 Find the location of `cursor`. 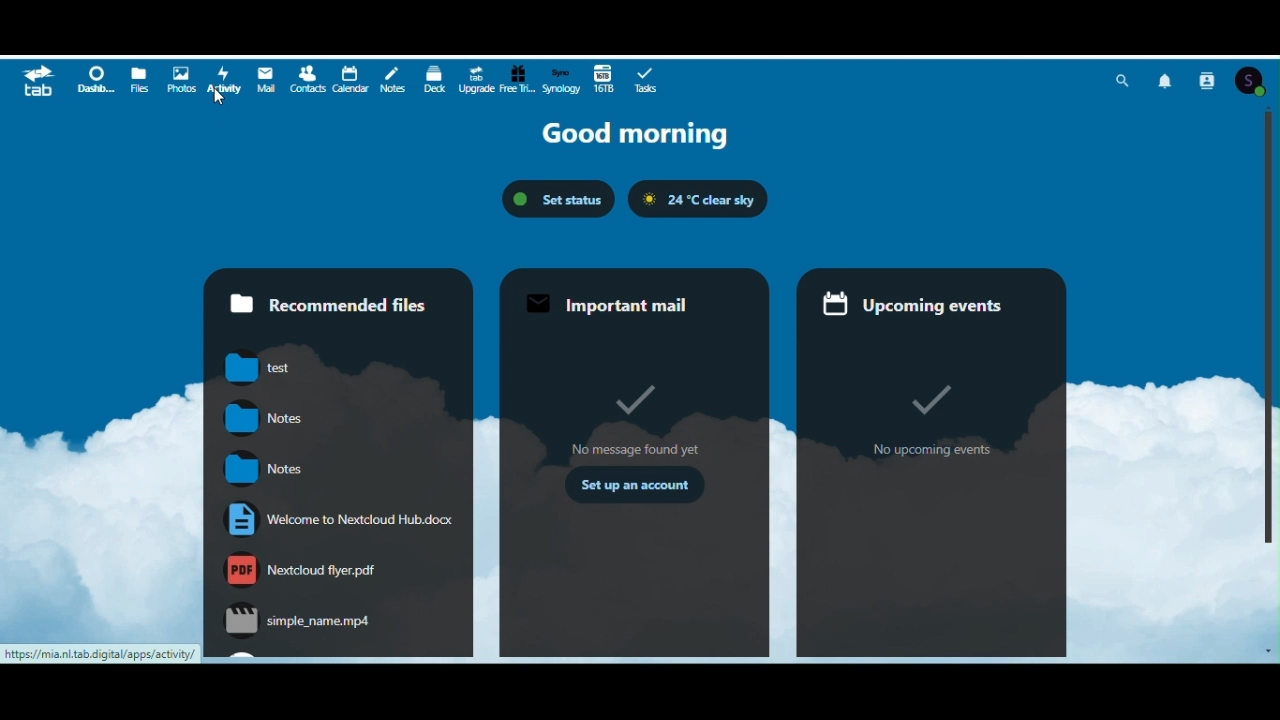

cursor is located at coordinates (214, 99).